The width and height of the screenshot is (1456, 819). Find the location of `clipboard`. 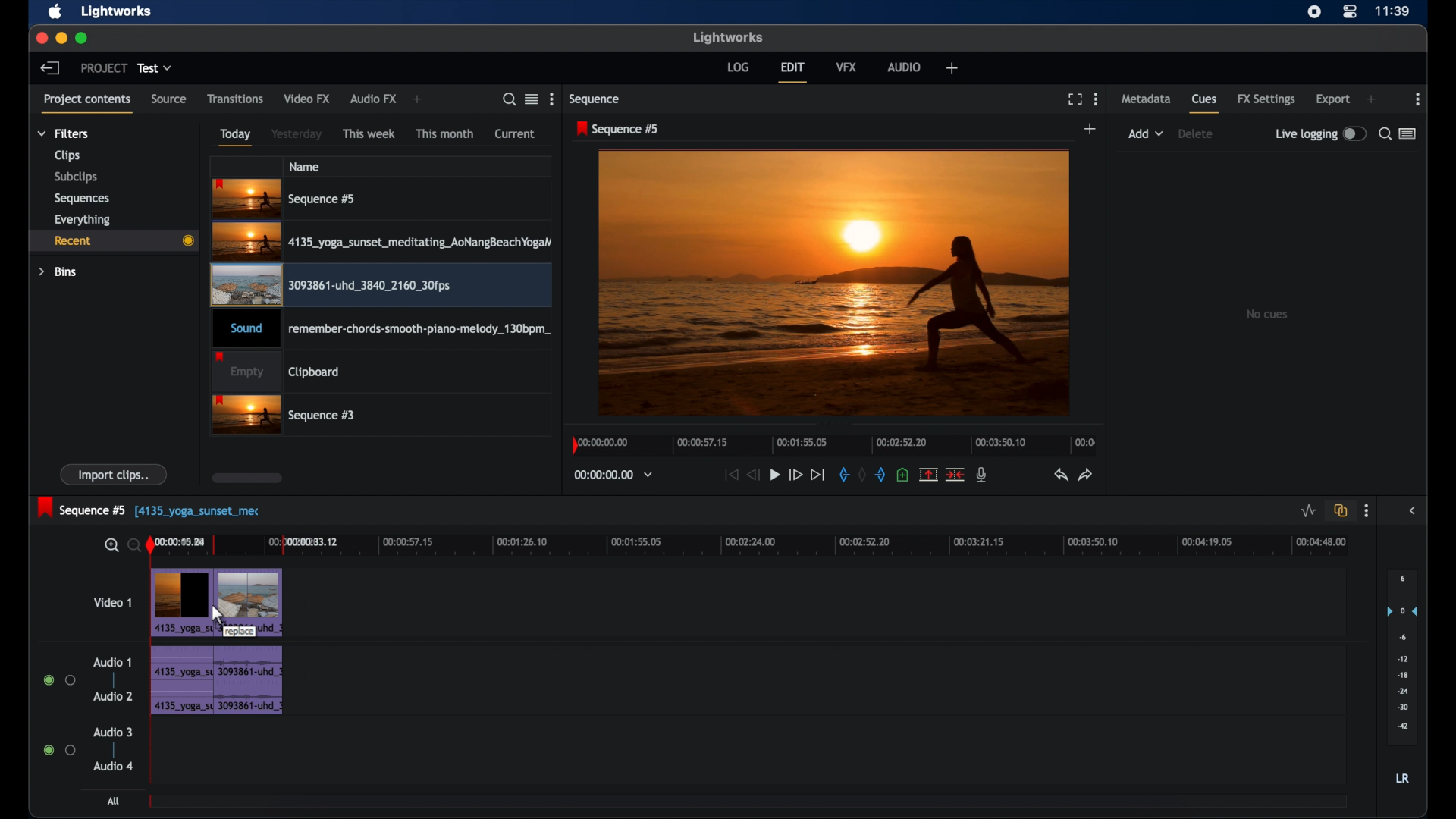

clipboard is located at coordinates (276, 371).